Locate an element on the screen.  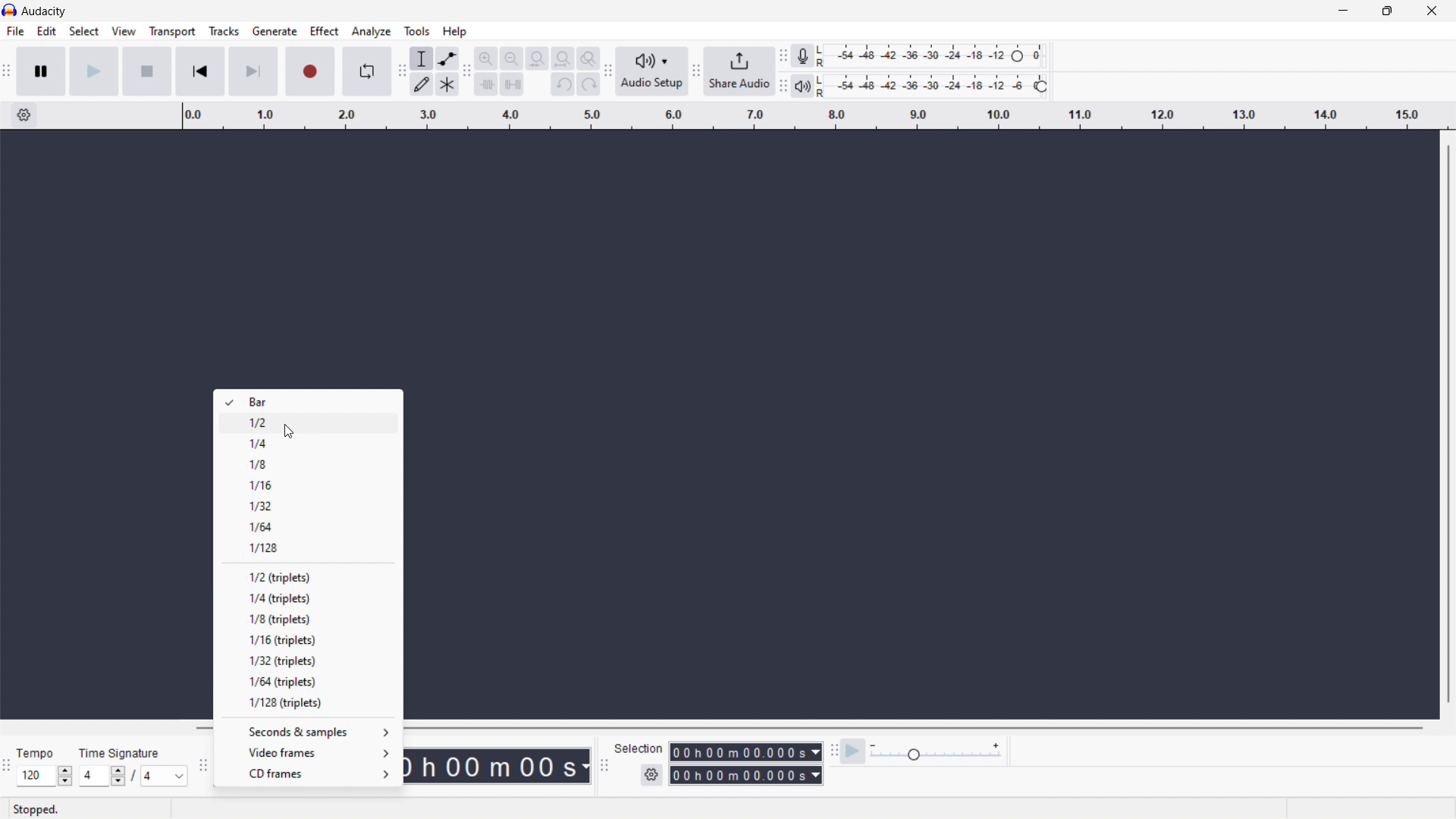
1/128 (triplets) is located at coordinates (306, 703).